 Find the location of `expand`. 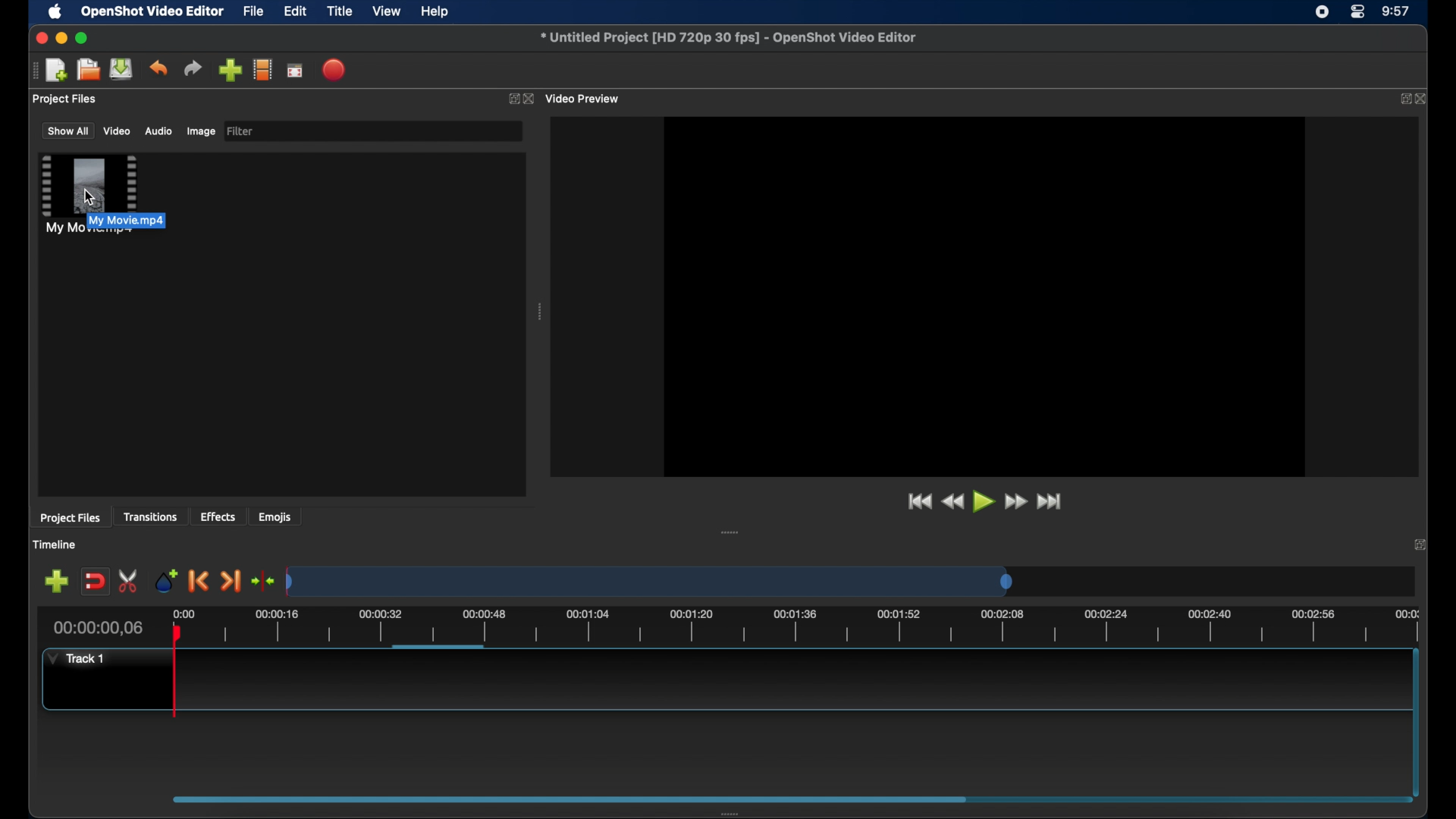

expand is located at coordinates (511, 99).